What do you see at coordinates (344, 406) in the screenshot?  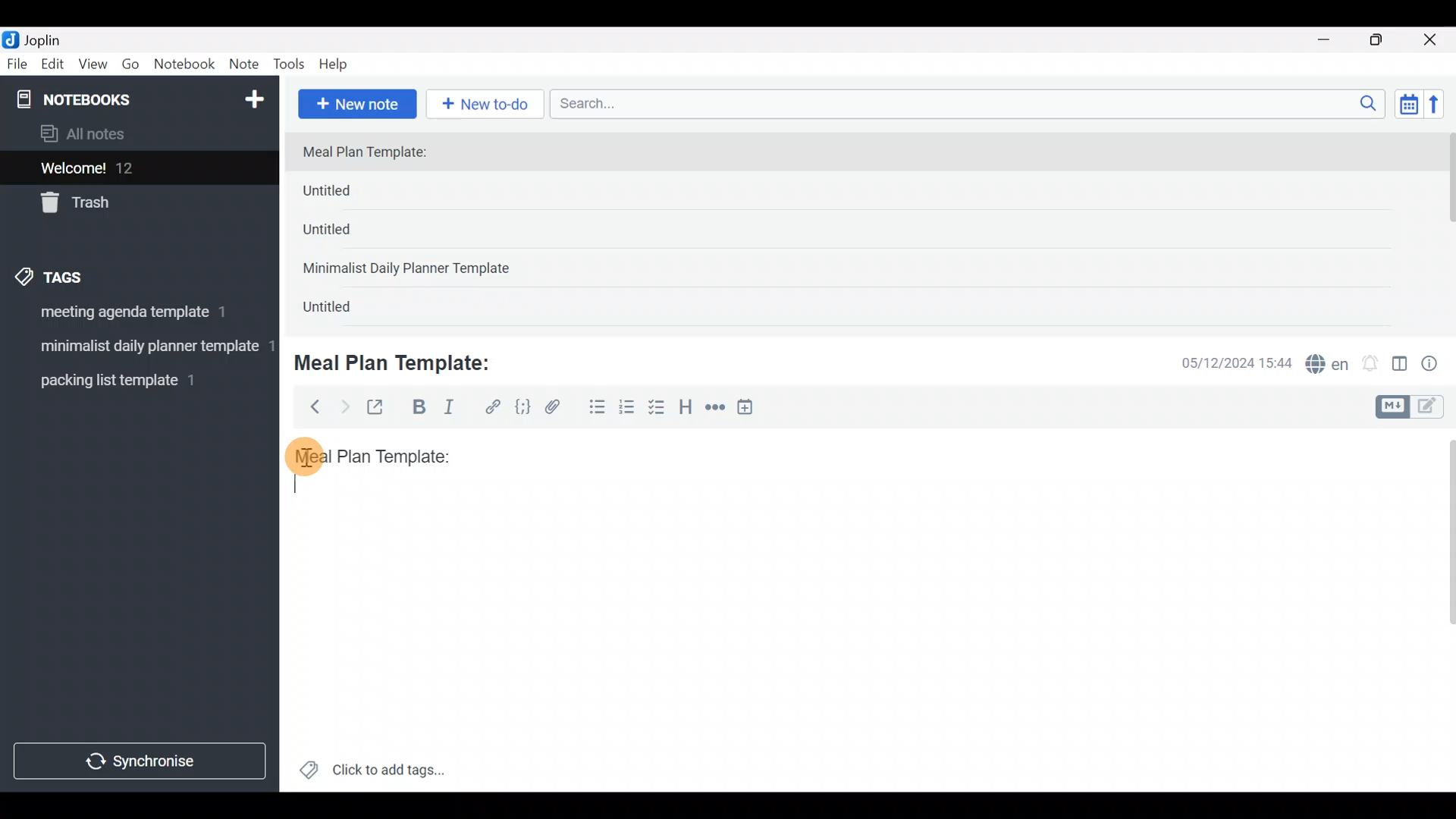 I see `Forward` at bounding box center [344, 406].